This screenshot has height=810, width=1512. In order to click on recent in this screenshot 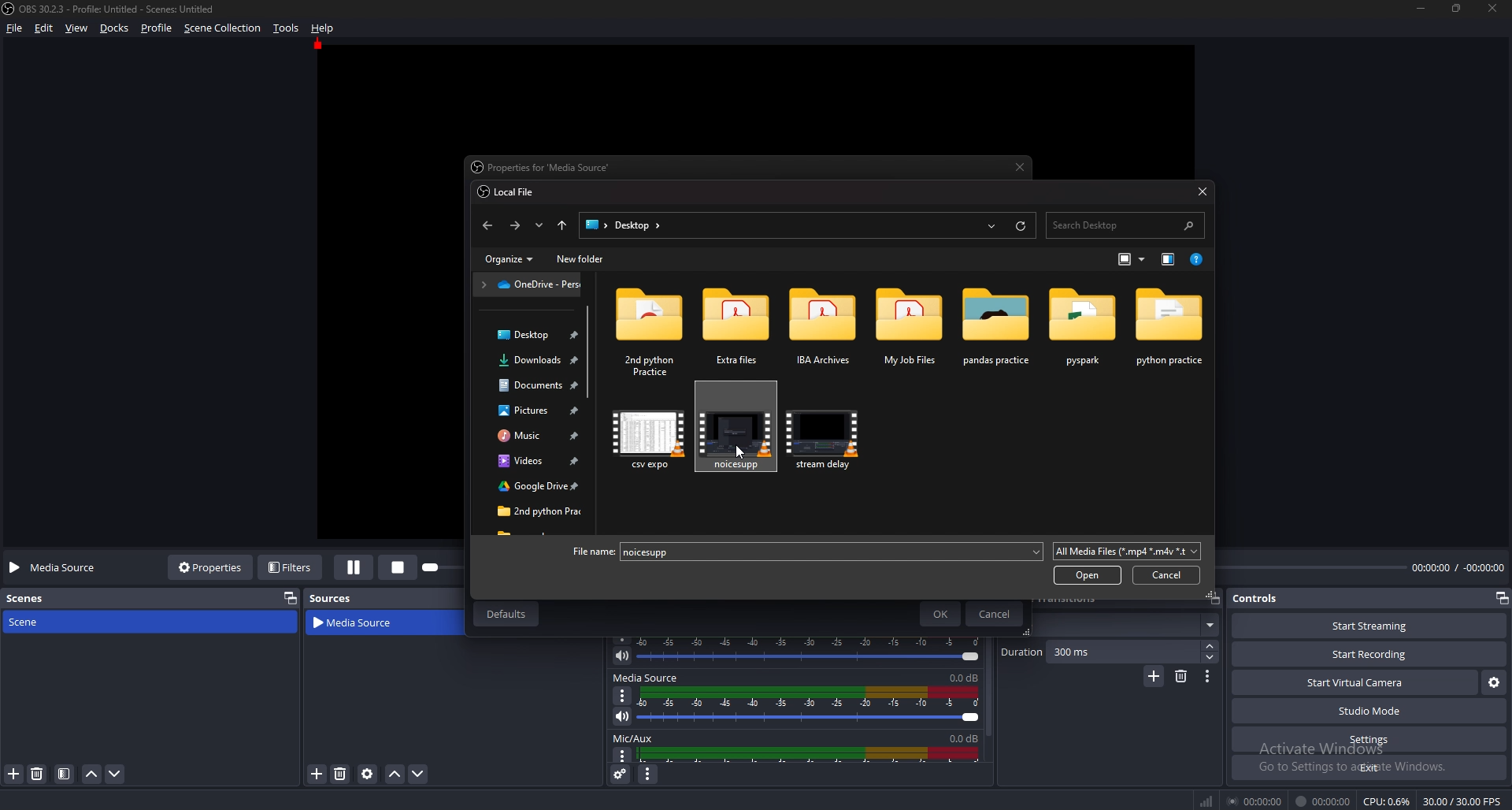, I will do `click(539, 225)`.